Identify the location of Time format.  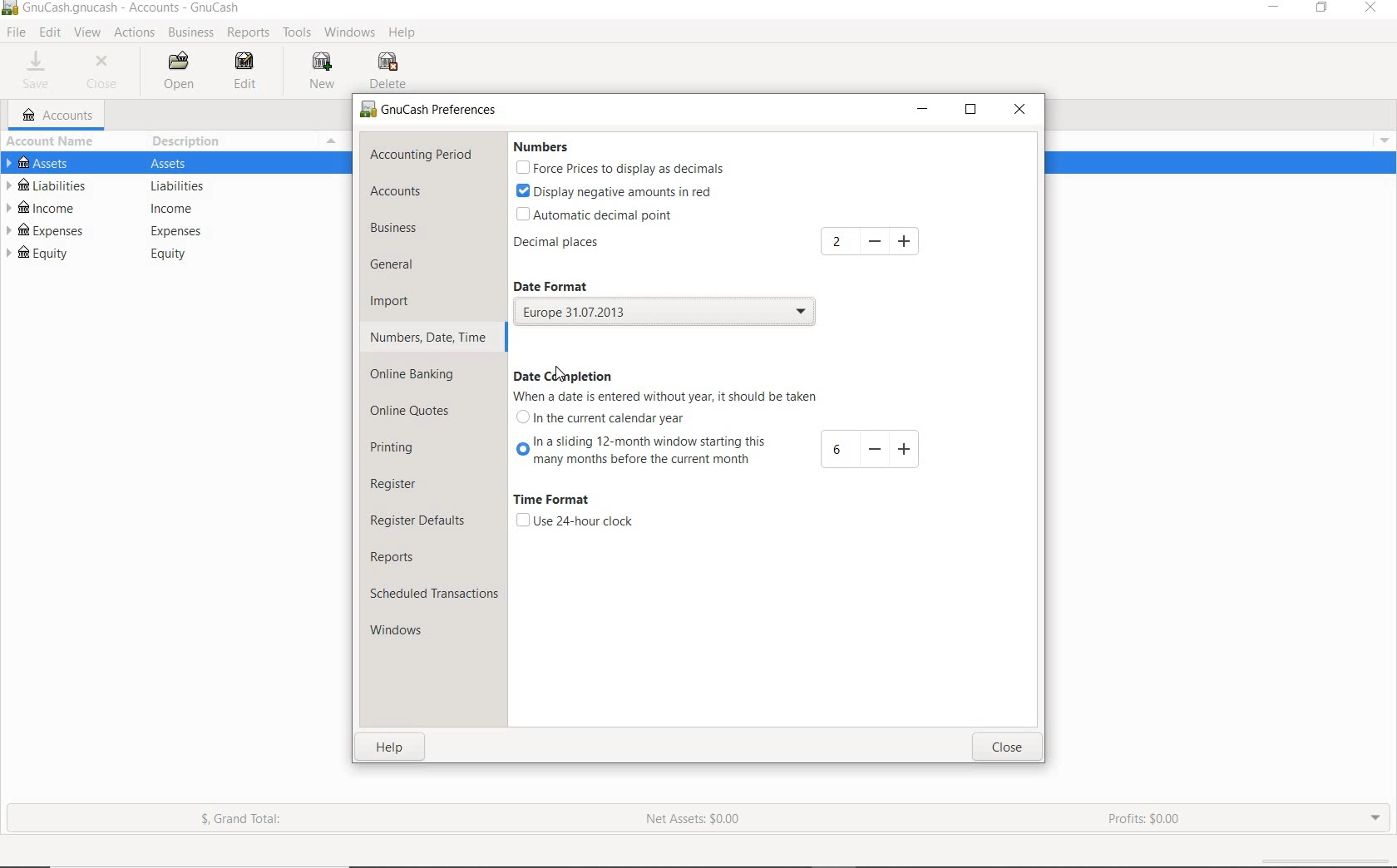
(551, 501).